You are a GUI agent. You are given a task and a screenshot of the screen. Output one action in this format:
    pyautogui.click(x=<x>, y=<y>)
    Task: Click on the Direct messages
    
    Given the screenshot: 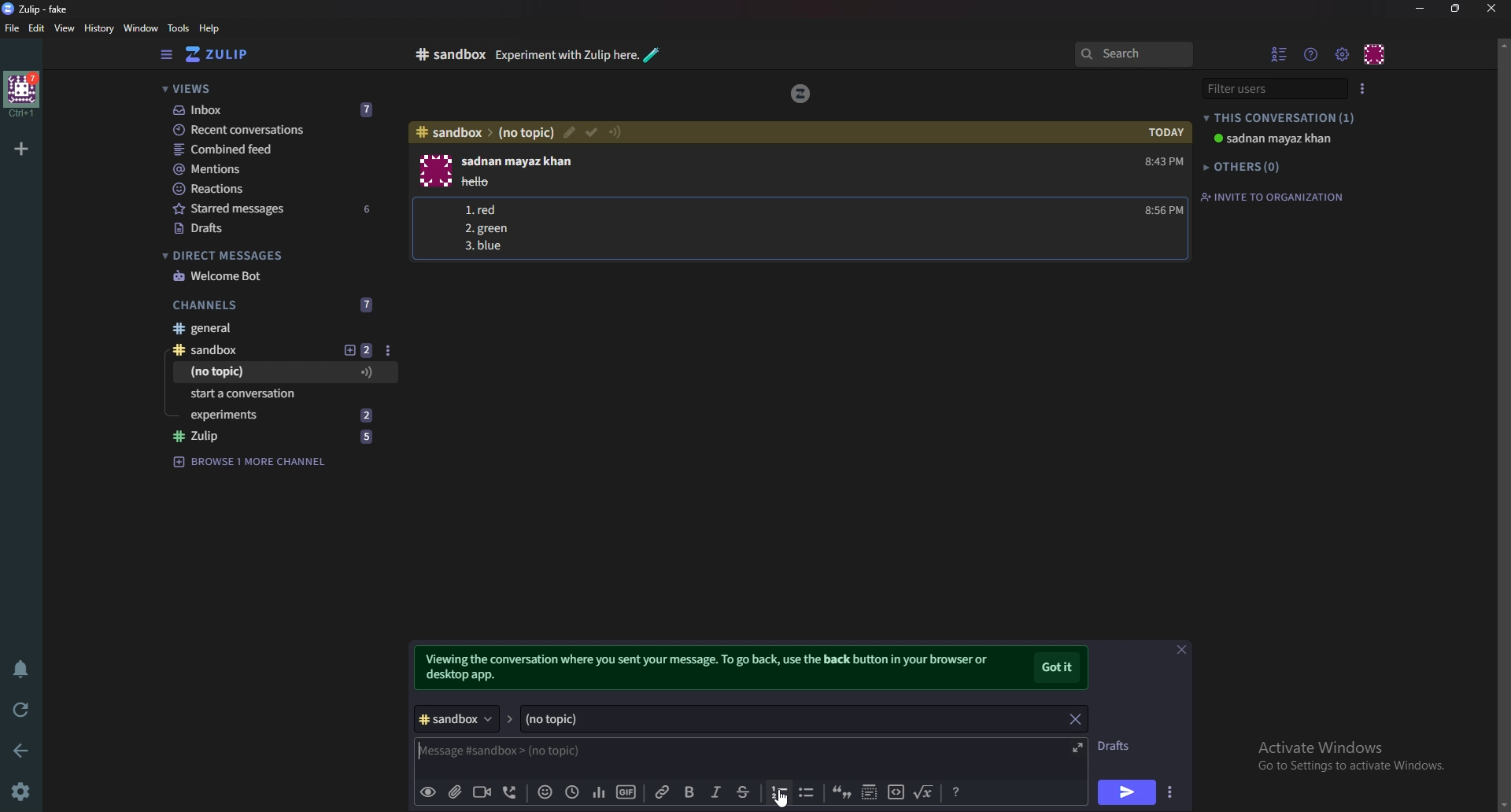 What is the action you would take?
    pyautogui.click(x=268, y=256)
    